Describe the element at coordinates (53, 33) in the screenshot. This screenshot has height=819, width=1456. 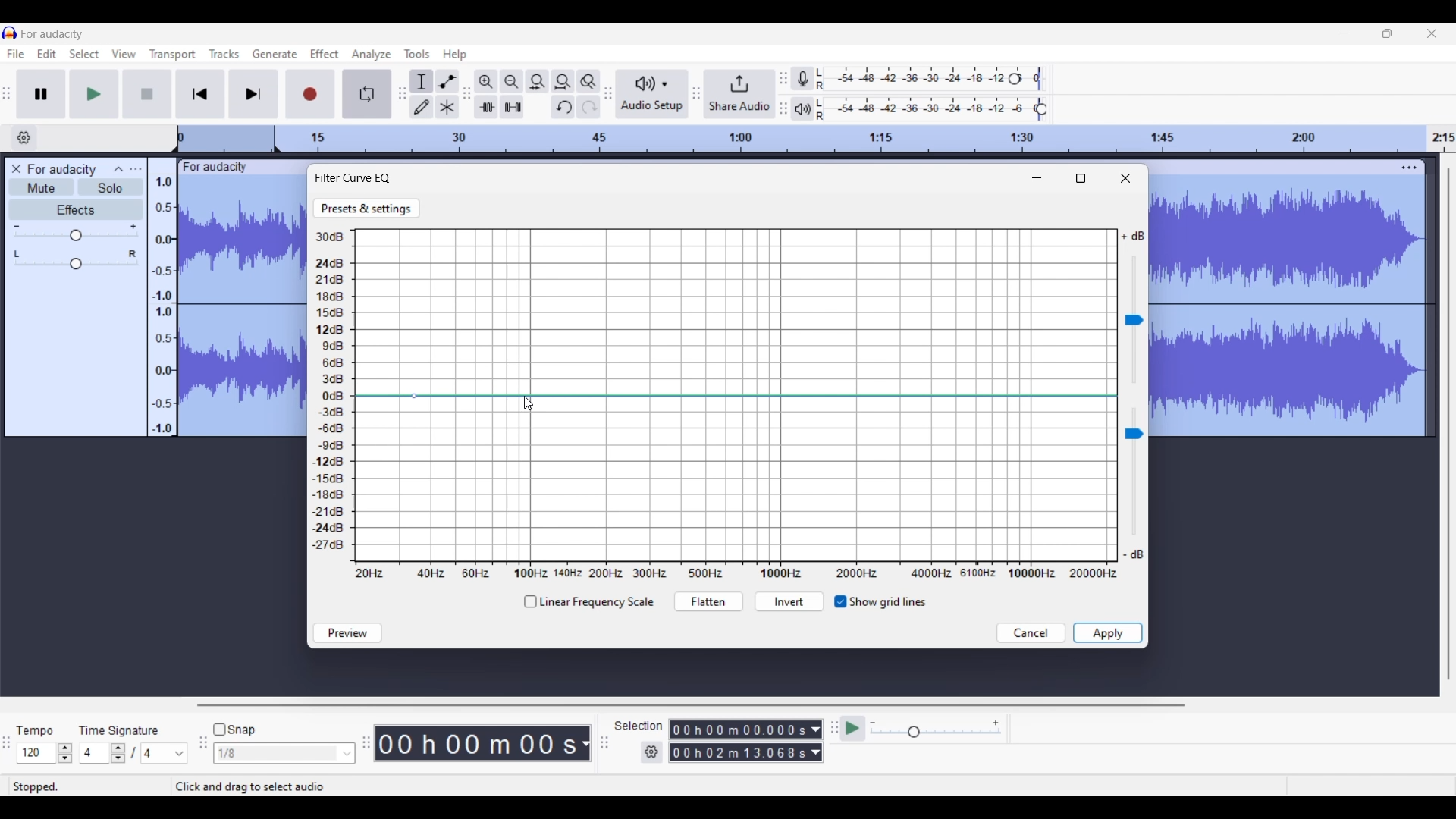
I see `Software name` at that location.